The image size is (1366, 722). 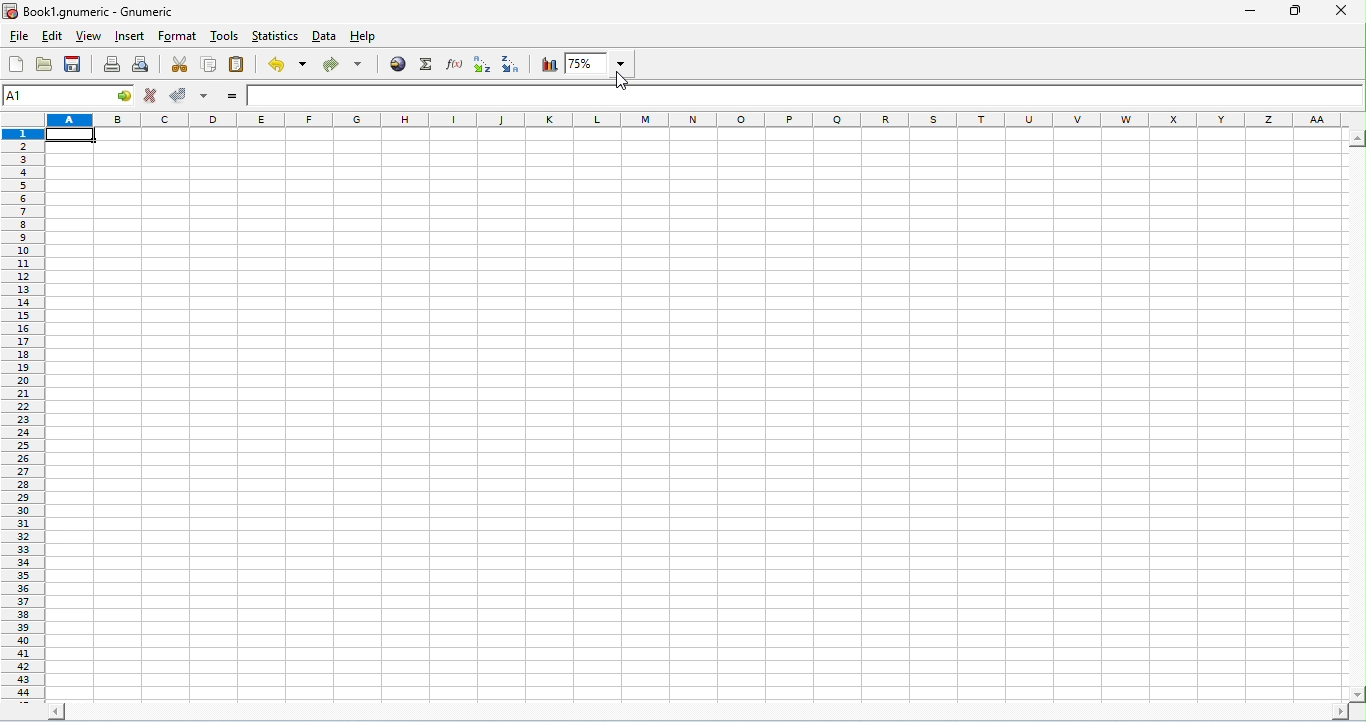 What do you see at coordinates (427, 65) in the screenshot?
I see `select function` at bounding box center [427, 65].